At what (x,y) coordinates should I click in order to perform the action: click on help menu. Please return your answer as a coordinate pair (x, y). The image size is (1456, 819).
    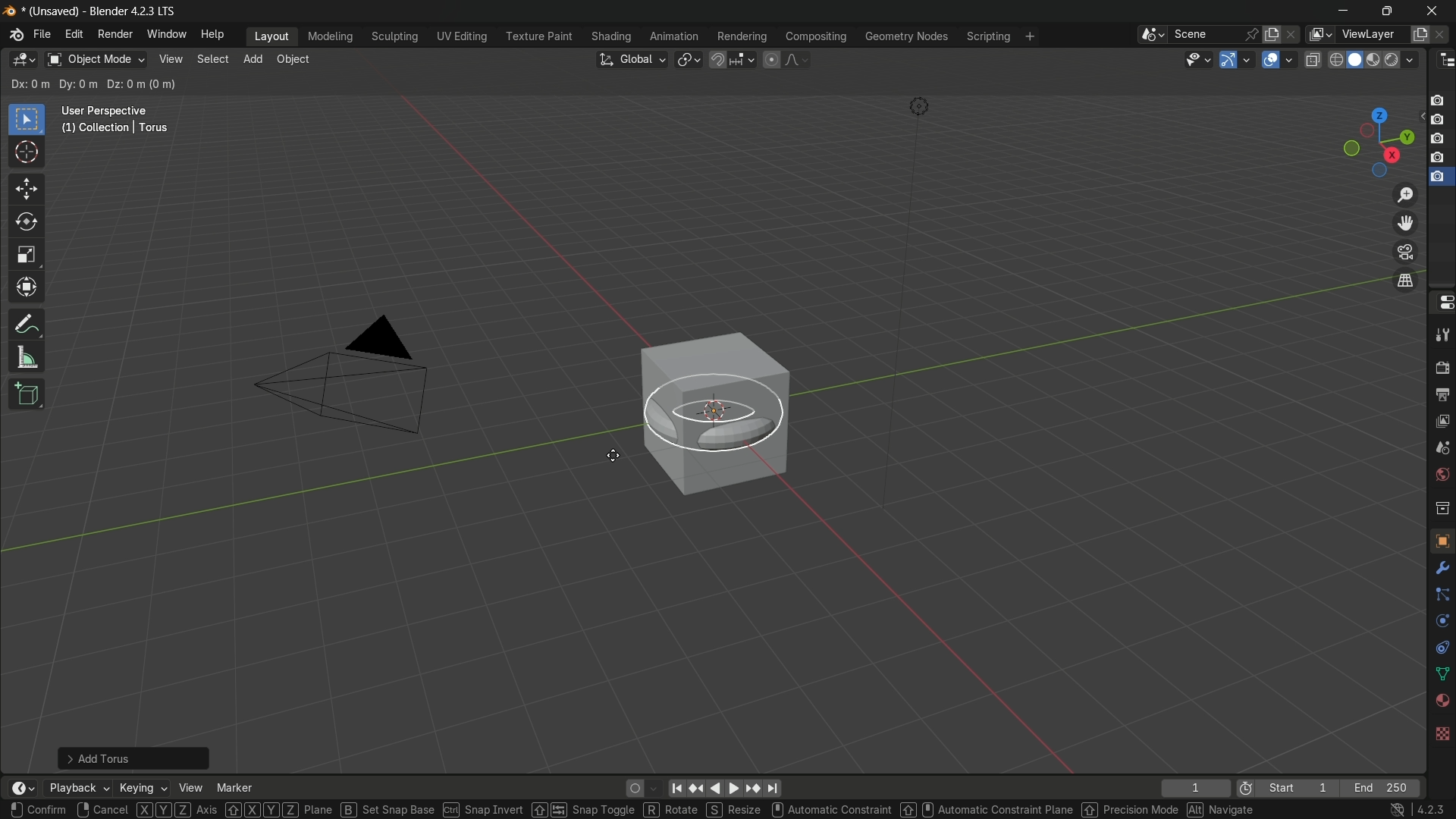
    Looking at the image, I should click on (215, 35).